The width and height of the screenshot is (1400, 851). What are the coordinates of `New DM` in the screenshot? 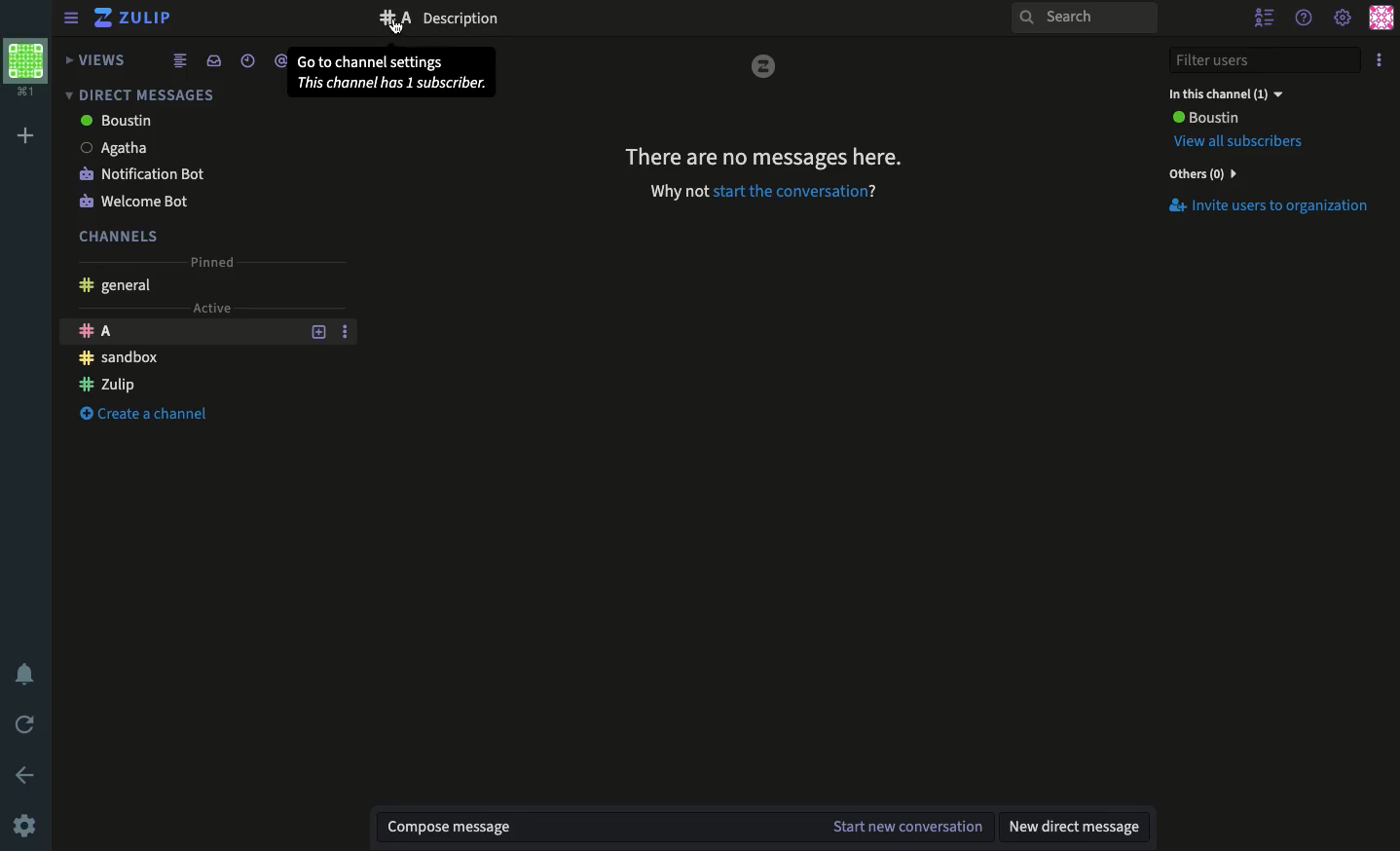 It's located at (1081, 829).